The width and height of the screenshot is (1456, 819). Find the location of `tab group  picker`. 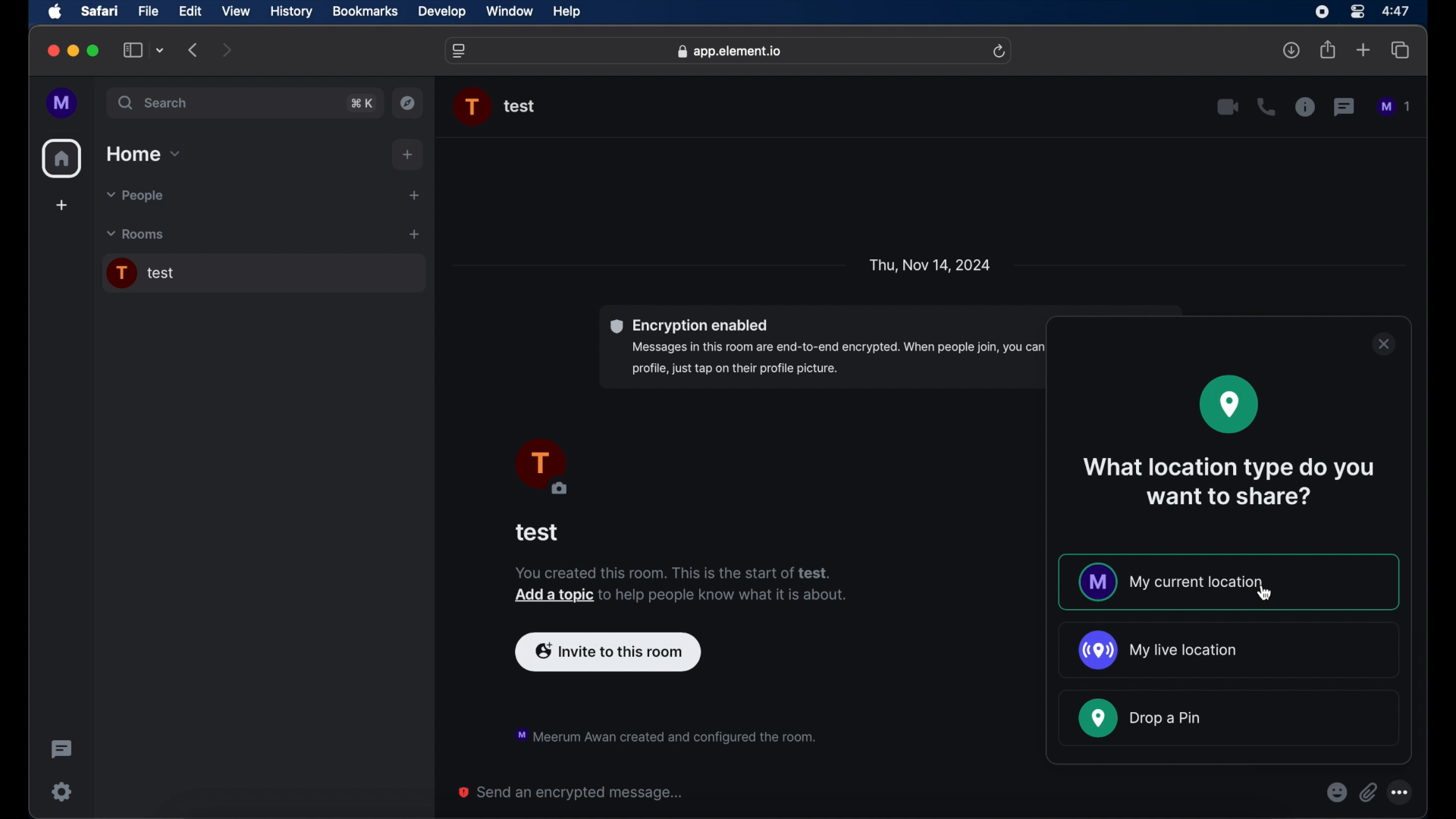

tab group  picker is located at coordinates (160, 51).